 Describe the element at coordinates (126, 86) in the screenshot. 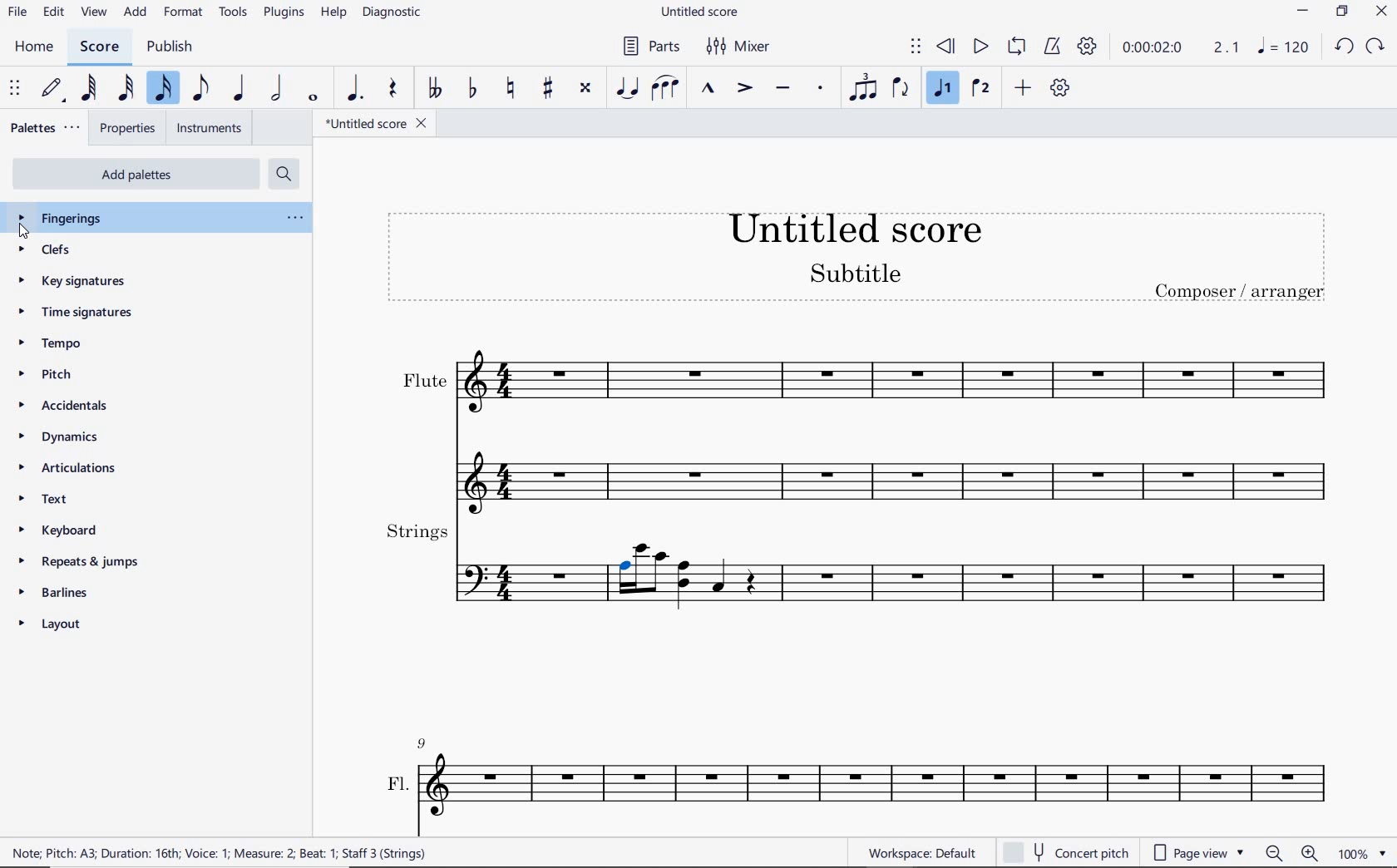

I see `32nd note` at that location.